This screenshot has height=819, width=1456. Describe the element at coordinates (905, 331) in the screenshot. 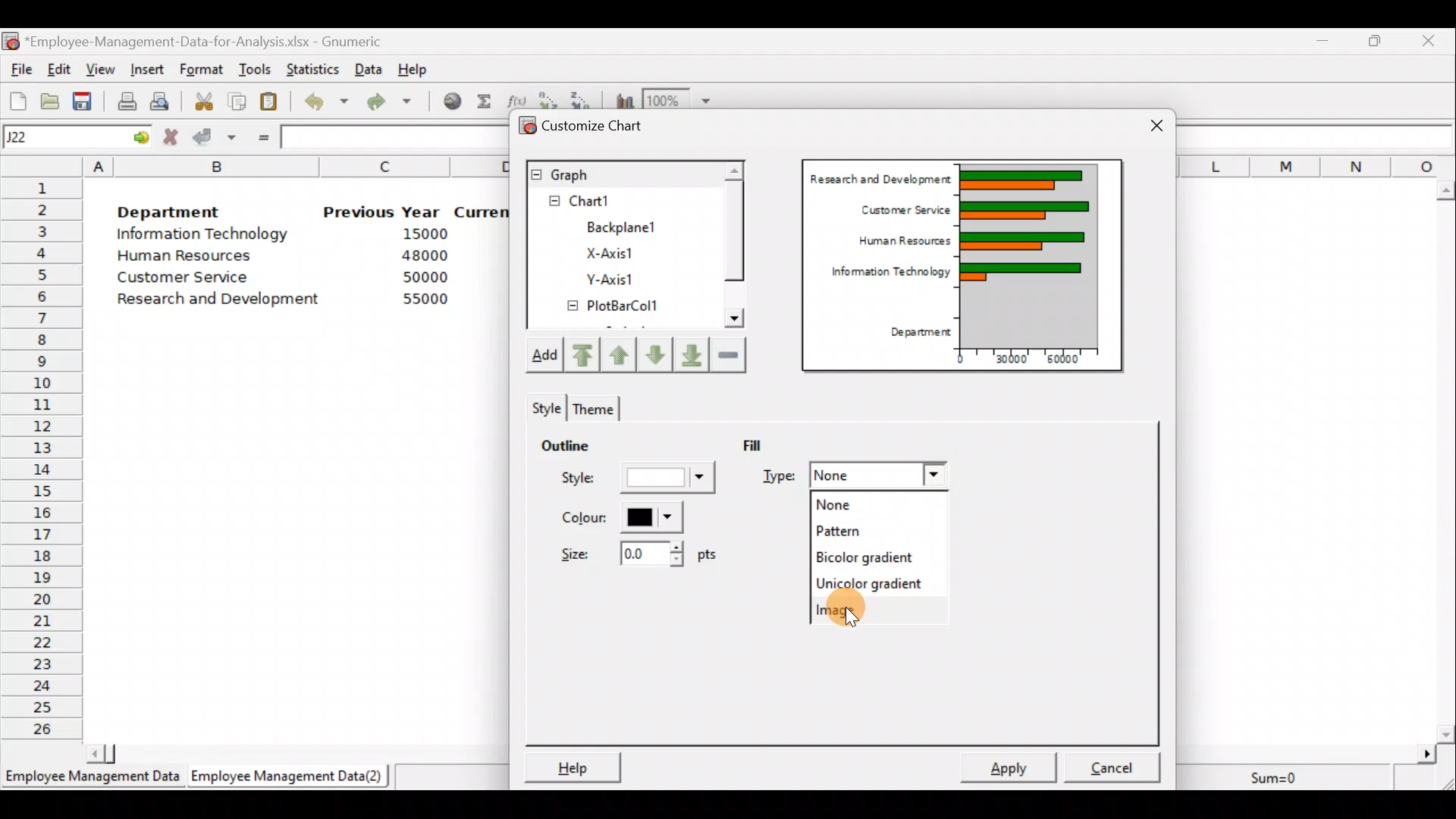

I see `Department` at that location.